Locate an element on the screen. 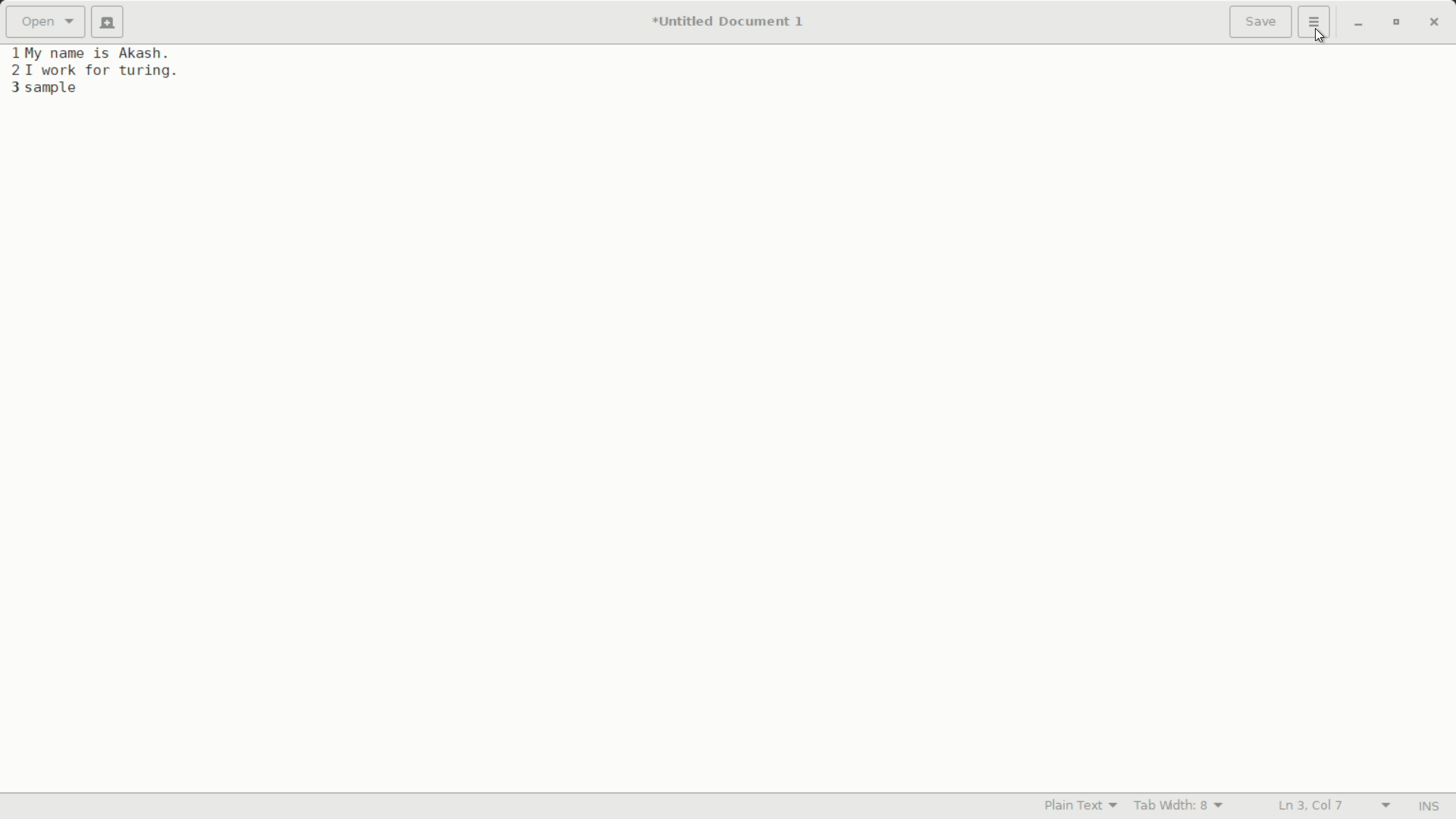 The width and height of the screenshot is (1456, 819). 3 sample is located at coordinates (44, 89).